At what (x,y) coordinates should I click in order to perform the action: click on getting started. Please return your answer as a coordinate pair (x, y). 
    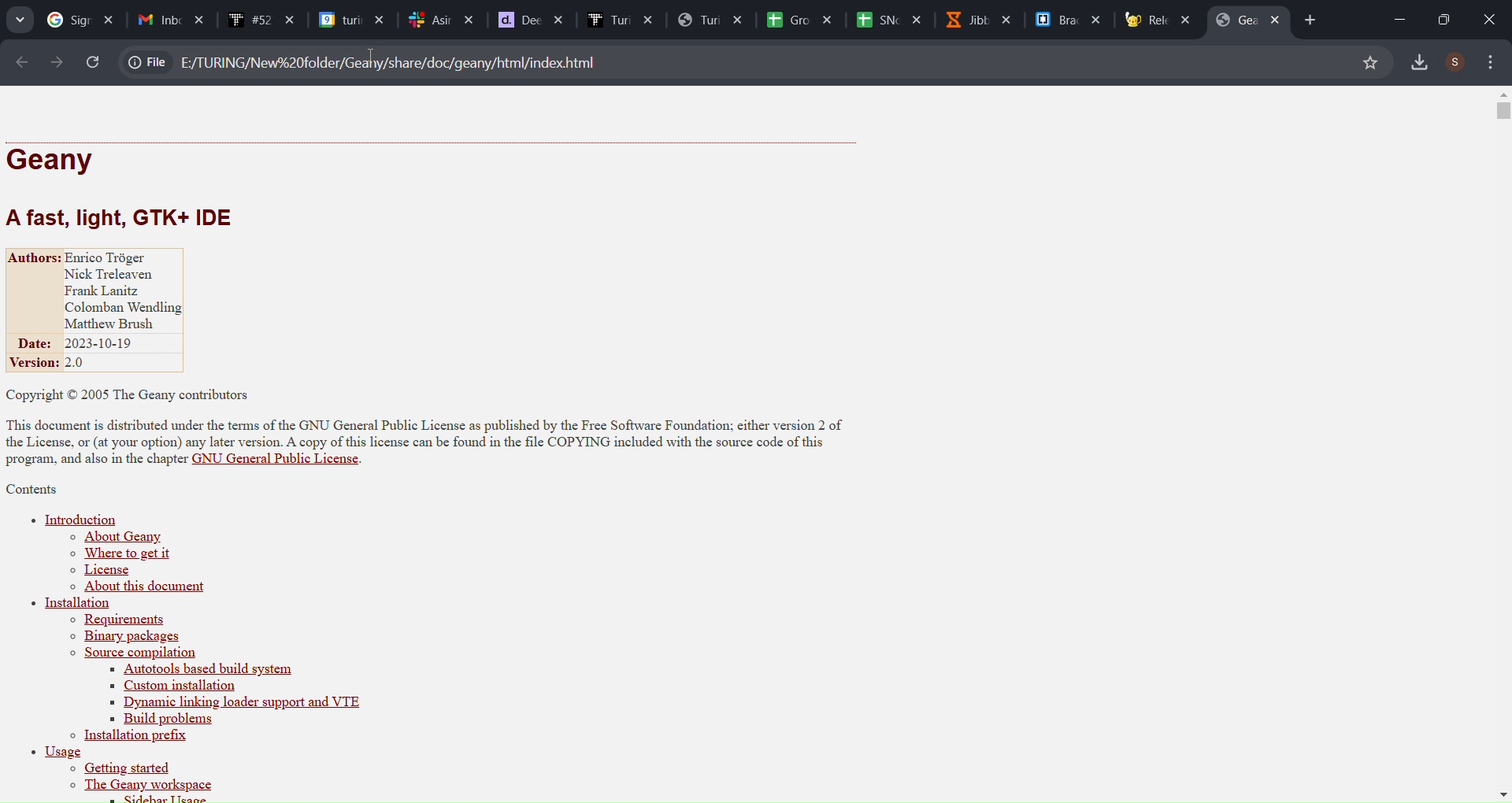
    Looking at the image, I should click on (122, 769).